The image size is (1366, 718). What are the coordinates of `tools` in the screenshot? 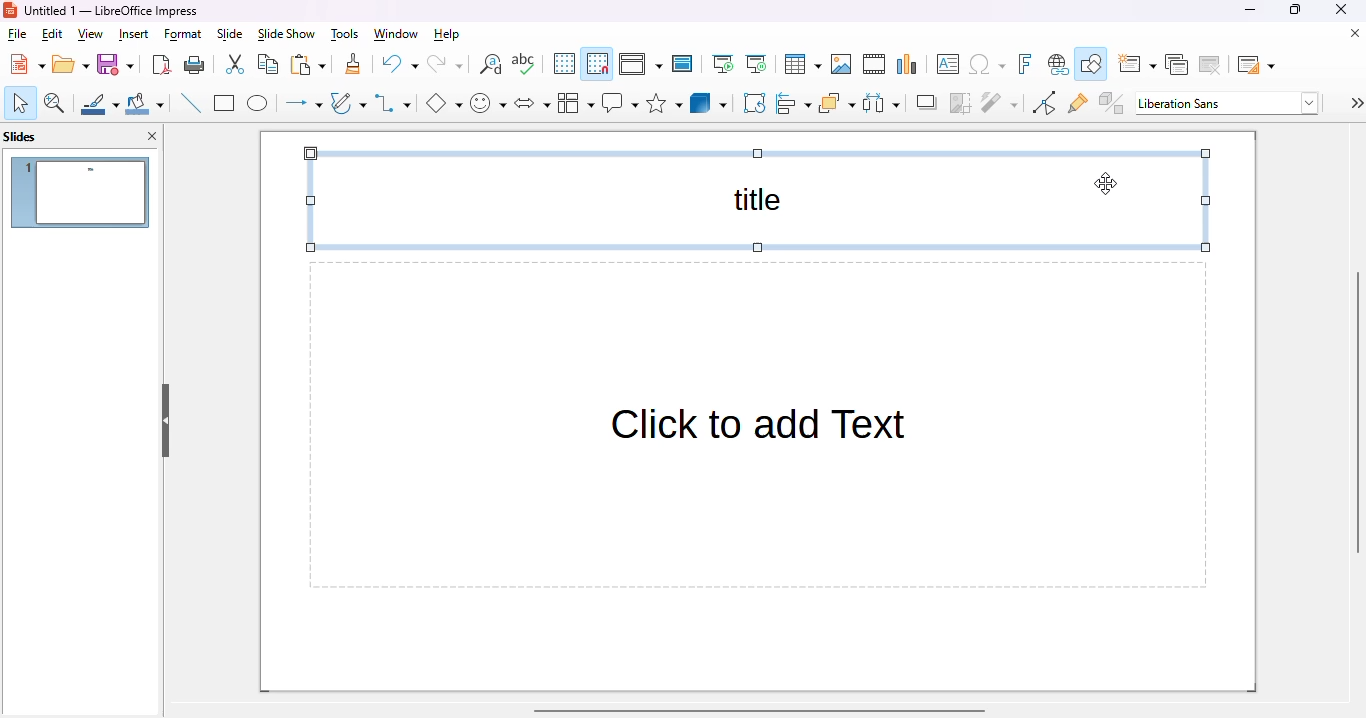 It's located at (345, 35).